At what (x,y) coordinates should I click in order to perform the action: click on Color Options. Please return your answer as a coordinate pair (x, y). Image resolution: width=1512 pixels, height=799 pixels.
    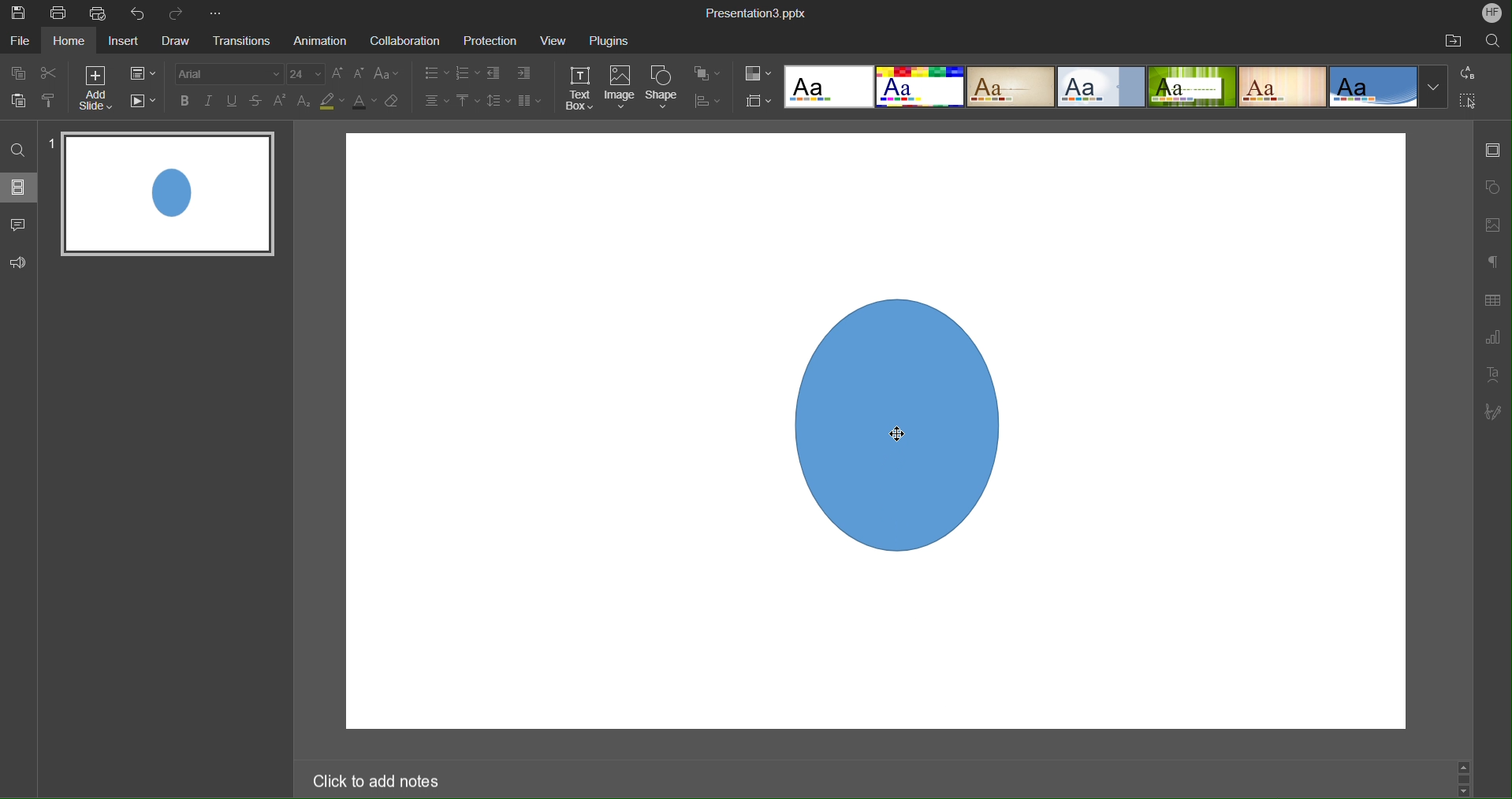
    Looking at the image, I should click on (758, 72).